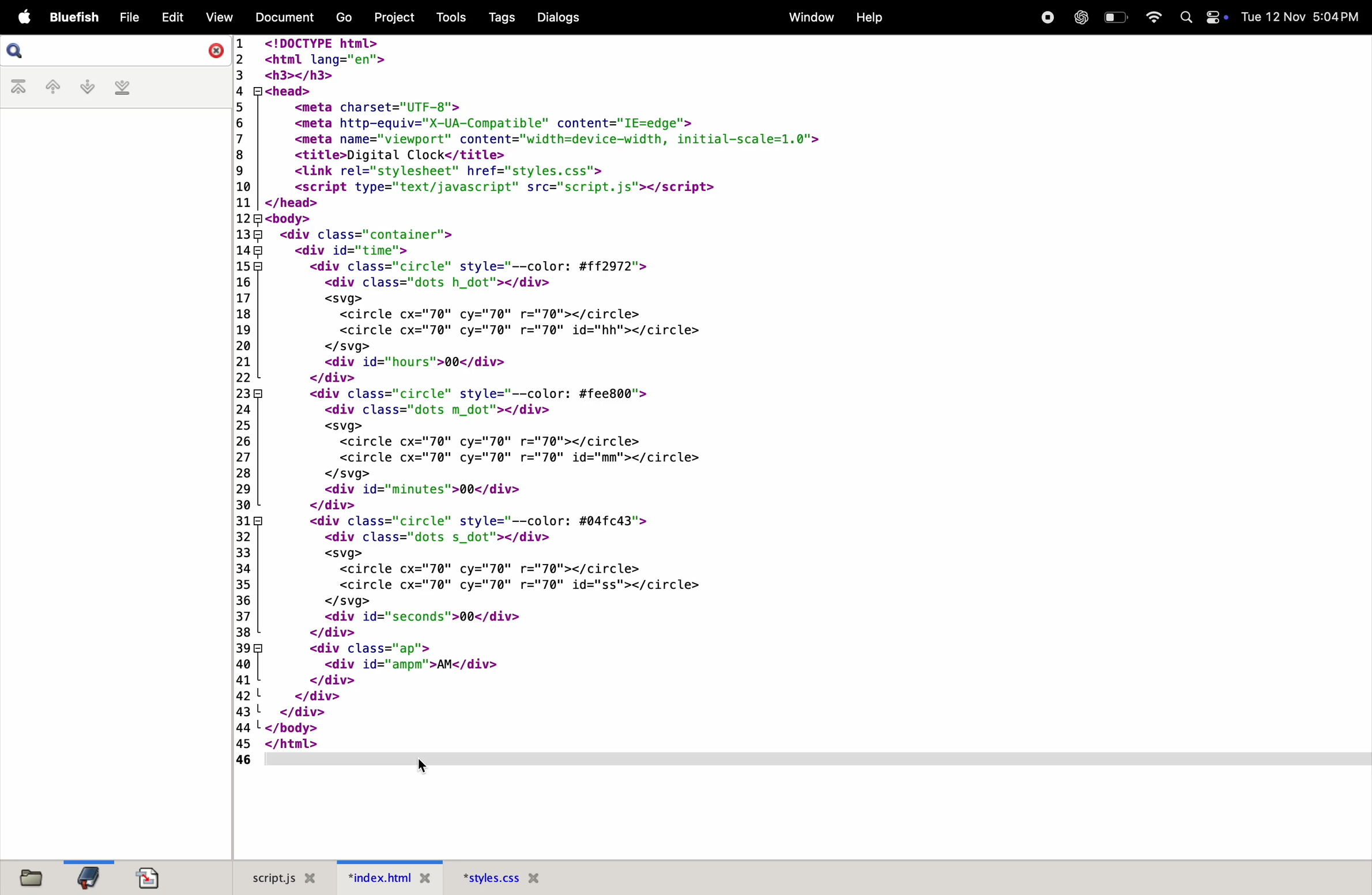 Image resolution: width=1372 pixels, height=895 pixels. What do you see at coordinates (804, 16) in the screenshot?
I see `window` at bounding box center [804, 16].